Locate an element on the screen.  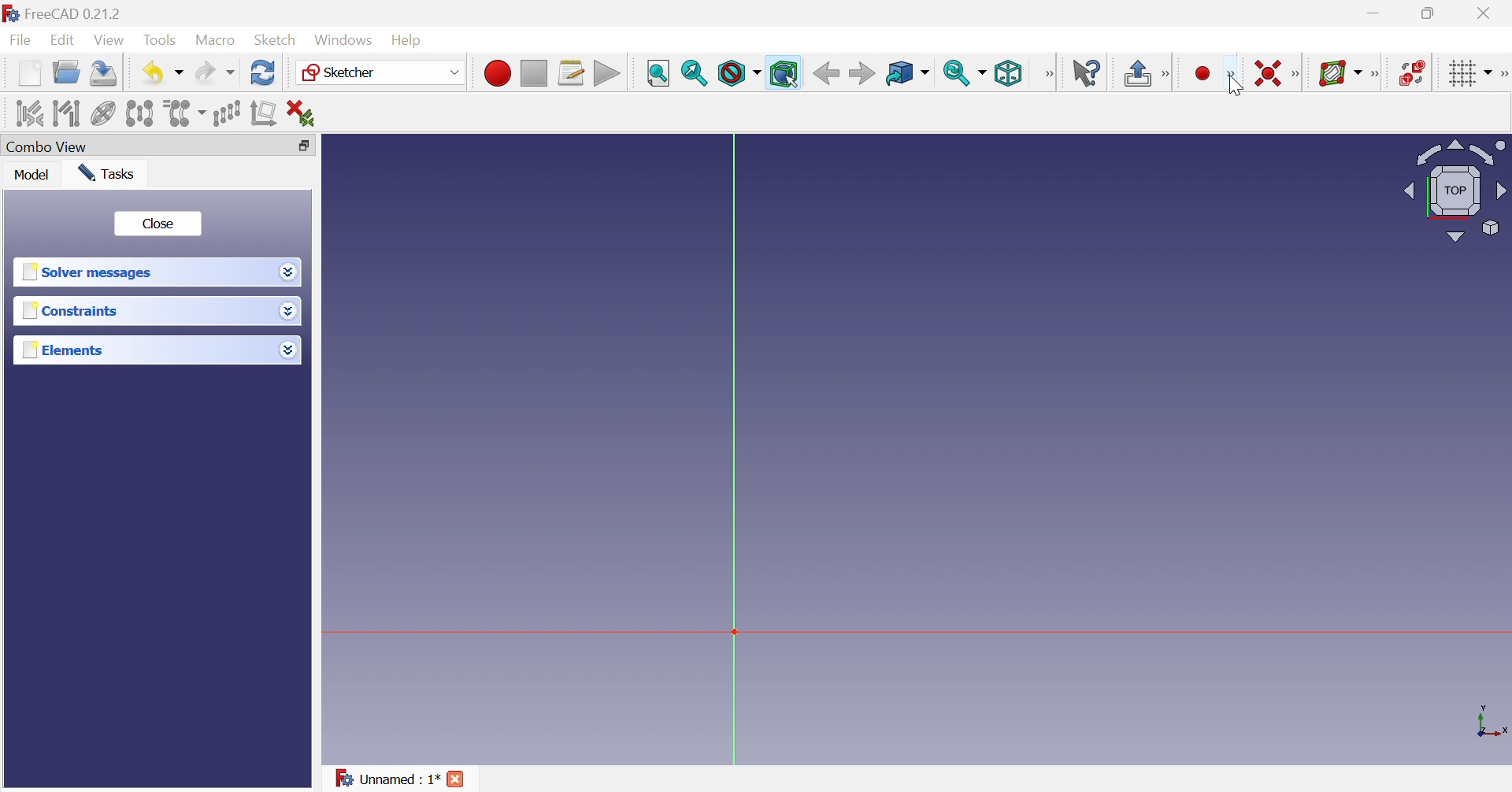
Save is located at coordinates (105, 74).